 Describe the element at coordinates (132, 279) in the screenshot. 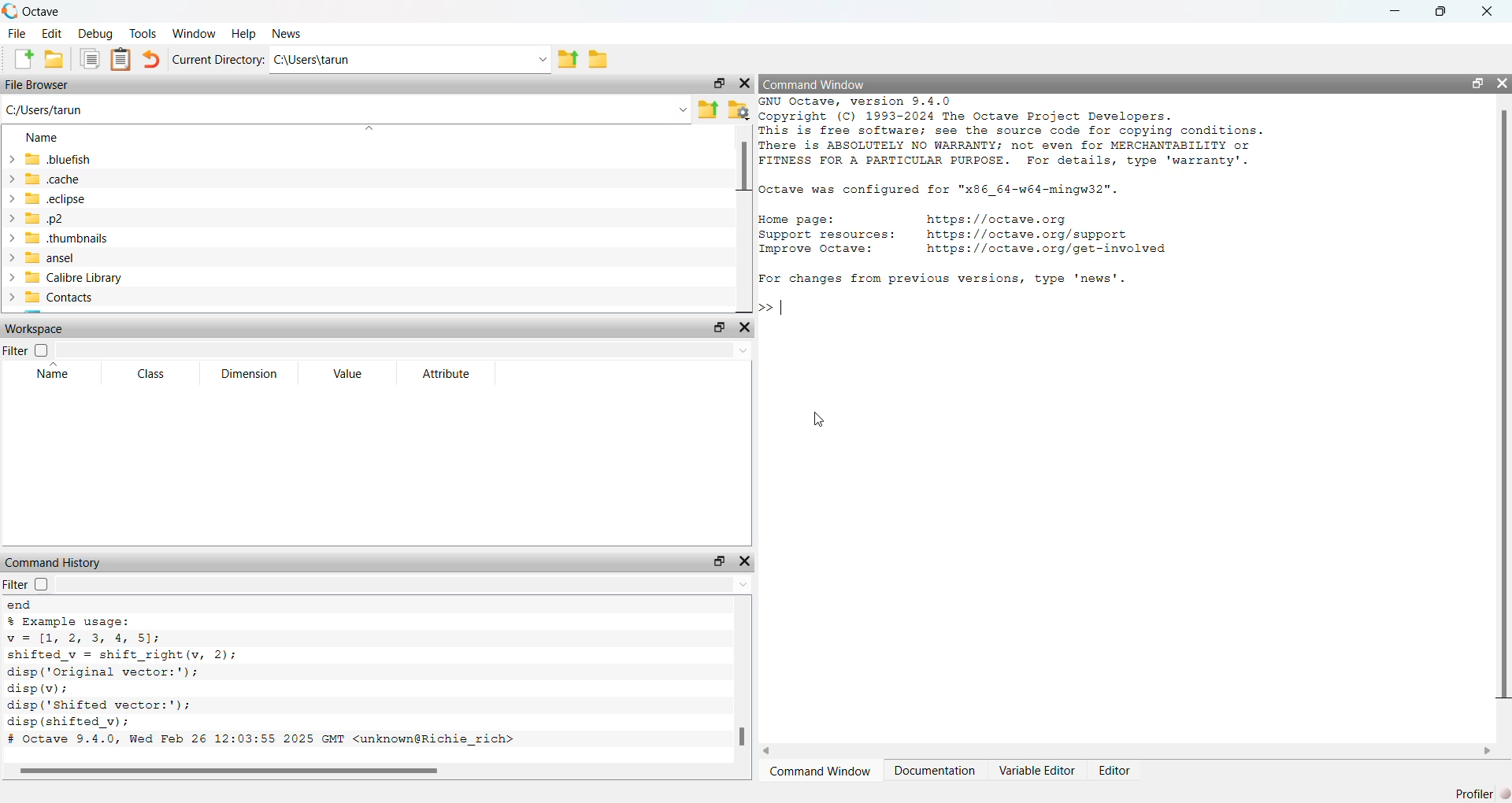

I see `calibre library` at that location.